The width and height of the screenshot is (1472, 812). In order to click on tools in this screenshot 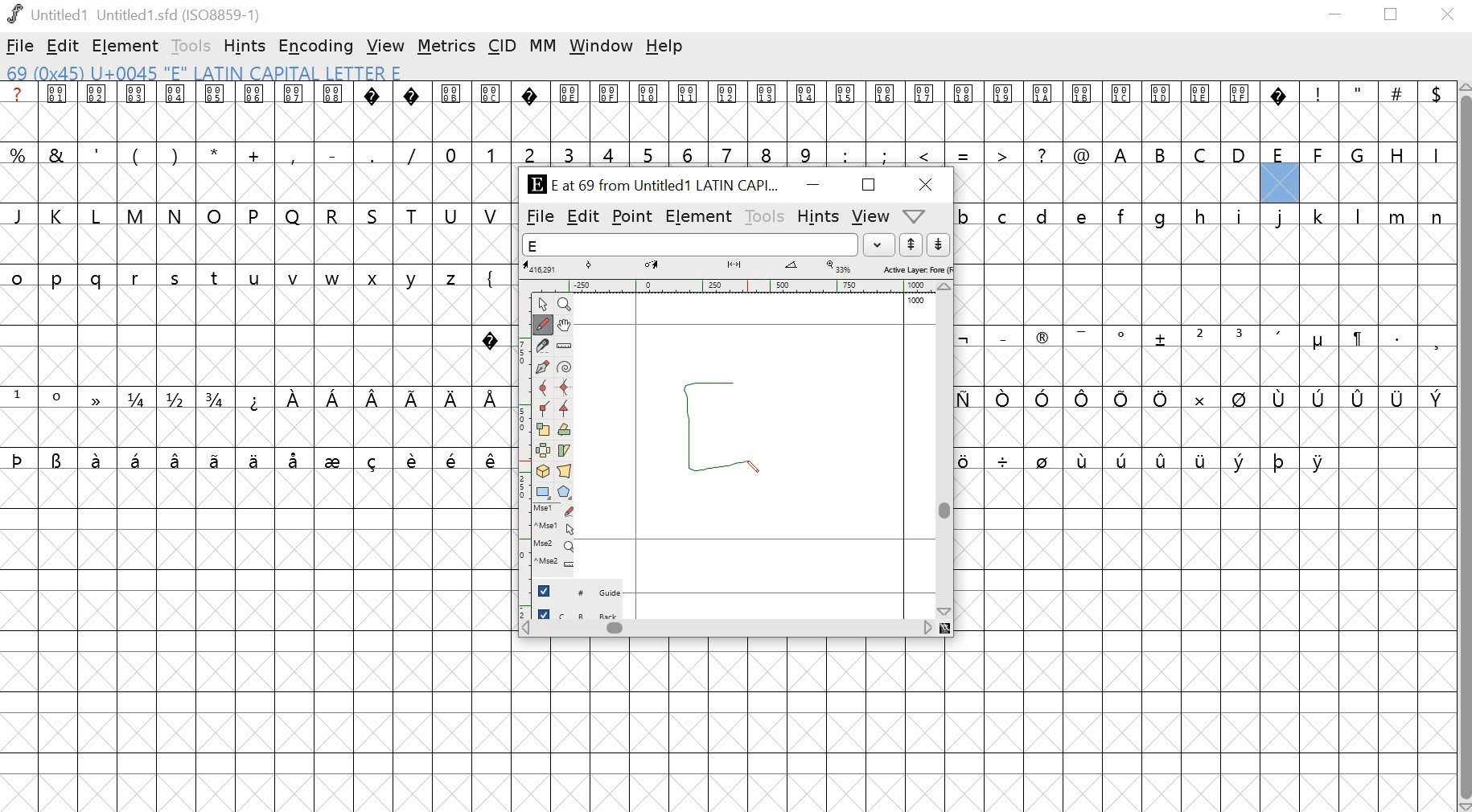, I will do `click(191, 46)`.